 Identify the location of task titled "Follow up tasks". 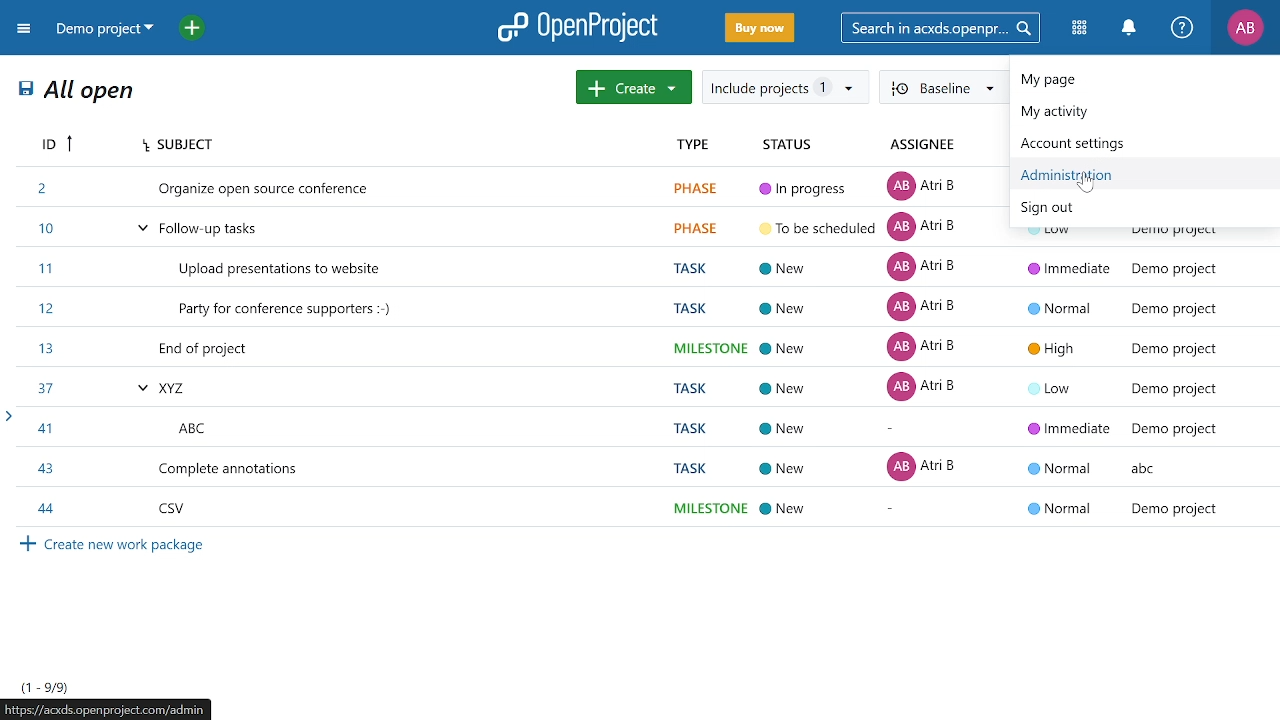
(509, 228).